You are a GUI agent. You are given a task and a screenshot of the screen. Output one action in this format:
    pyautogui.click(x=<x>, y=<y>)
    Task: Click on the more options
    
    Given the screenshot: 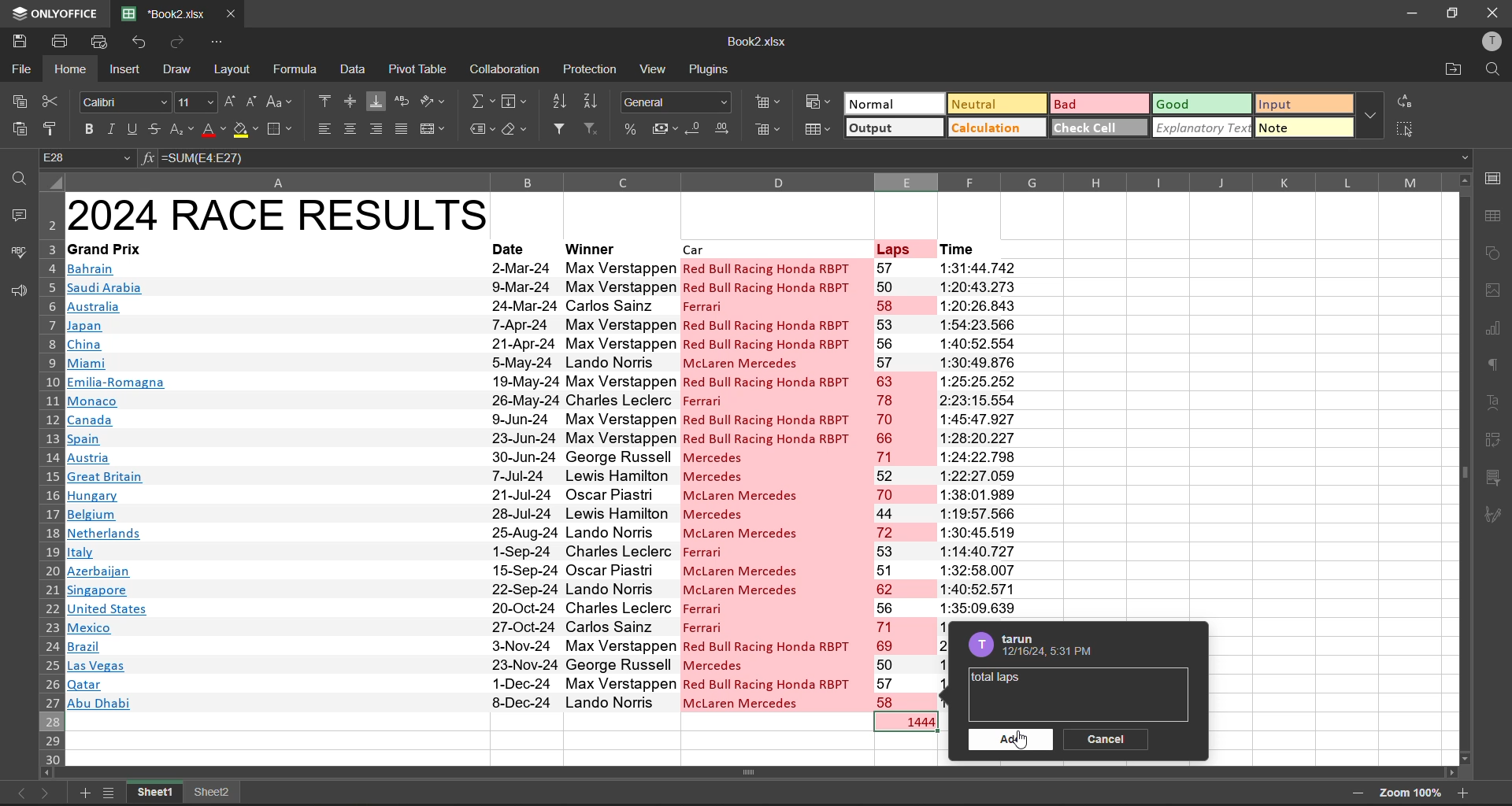 What is the action you would take?
    pyautogui.click(x=1372, y=116)
    